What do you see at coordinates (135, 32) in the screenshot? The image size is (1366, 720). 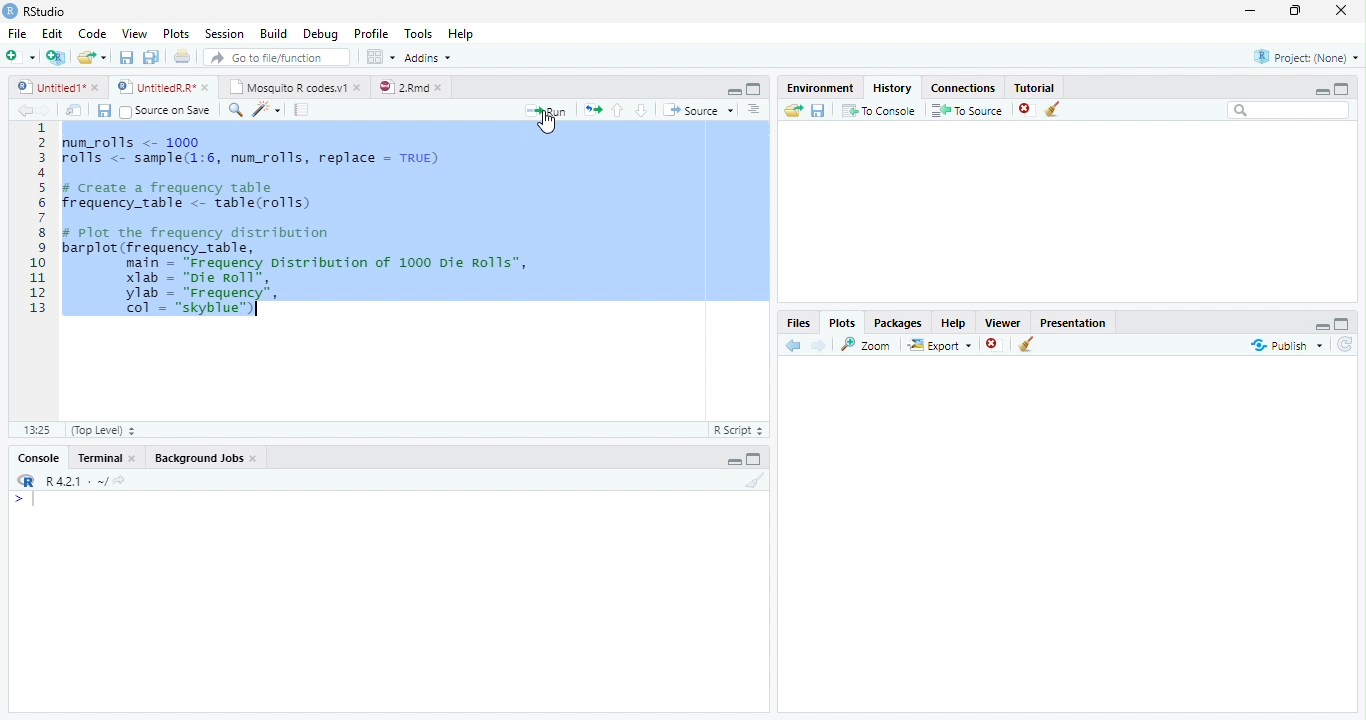 I see `View` at bounding box center [135, 32].